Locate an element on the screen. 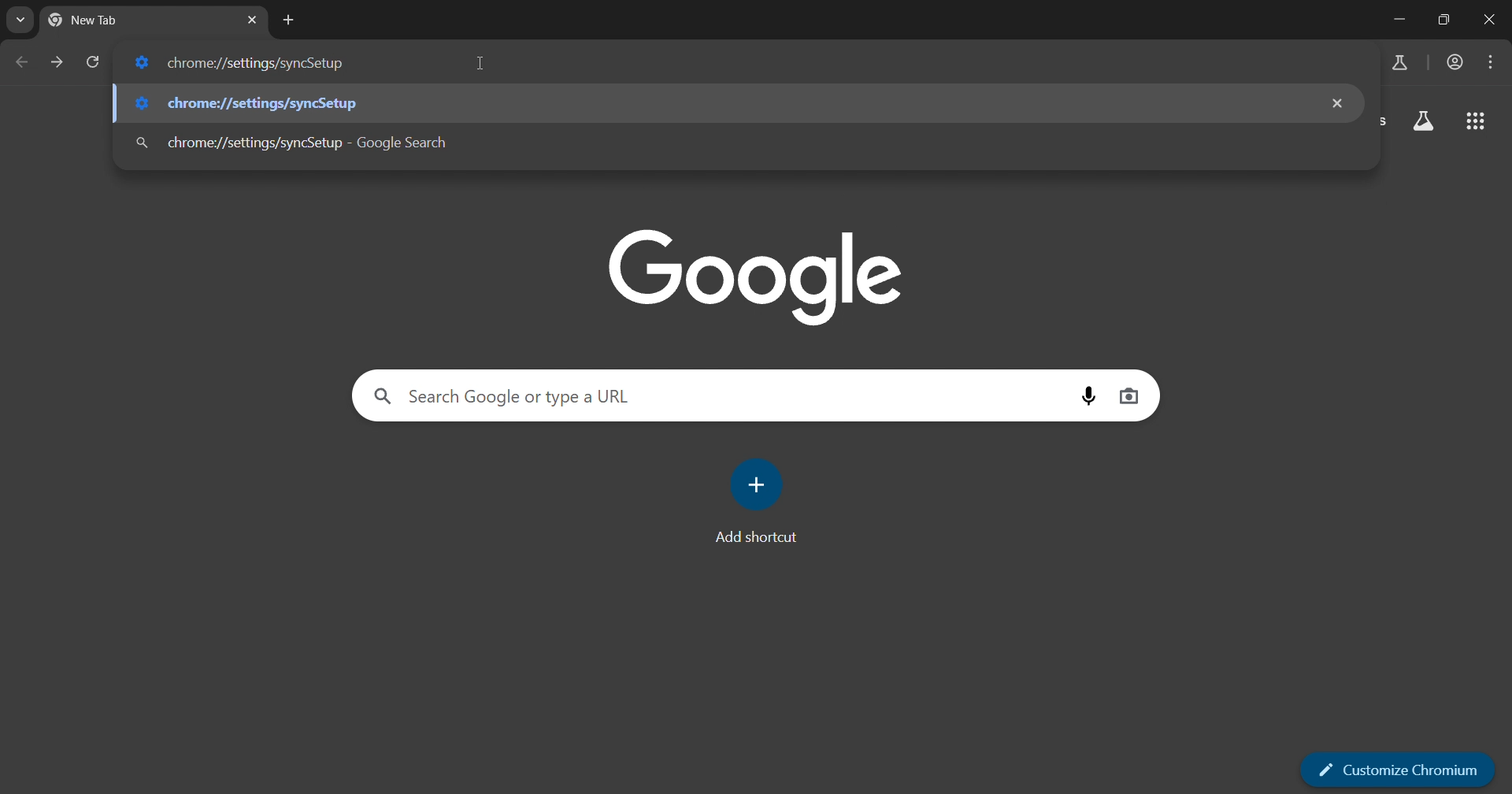  restore down is located at coordinates (1442, 21).